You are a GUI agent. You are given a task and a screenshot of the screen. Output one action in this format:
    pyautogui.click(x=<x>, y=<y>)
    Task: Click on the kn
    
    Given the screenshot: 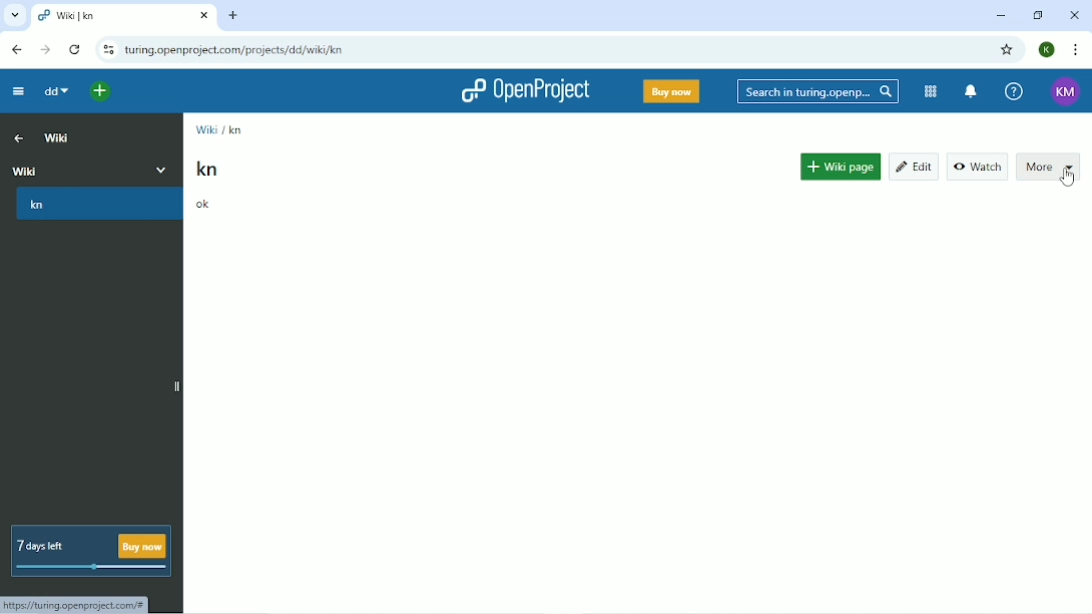 What is the action you would take?
    pyautogui.click(x=234, y=130)
    